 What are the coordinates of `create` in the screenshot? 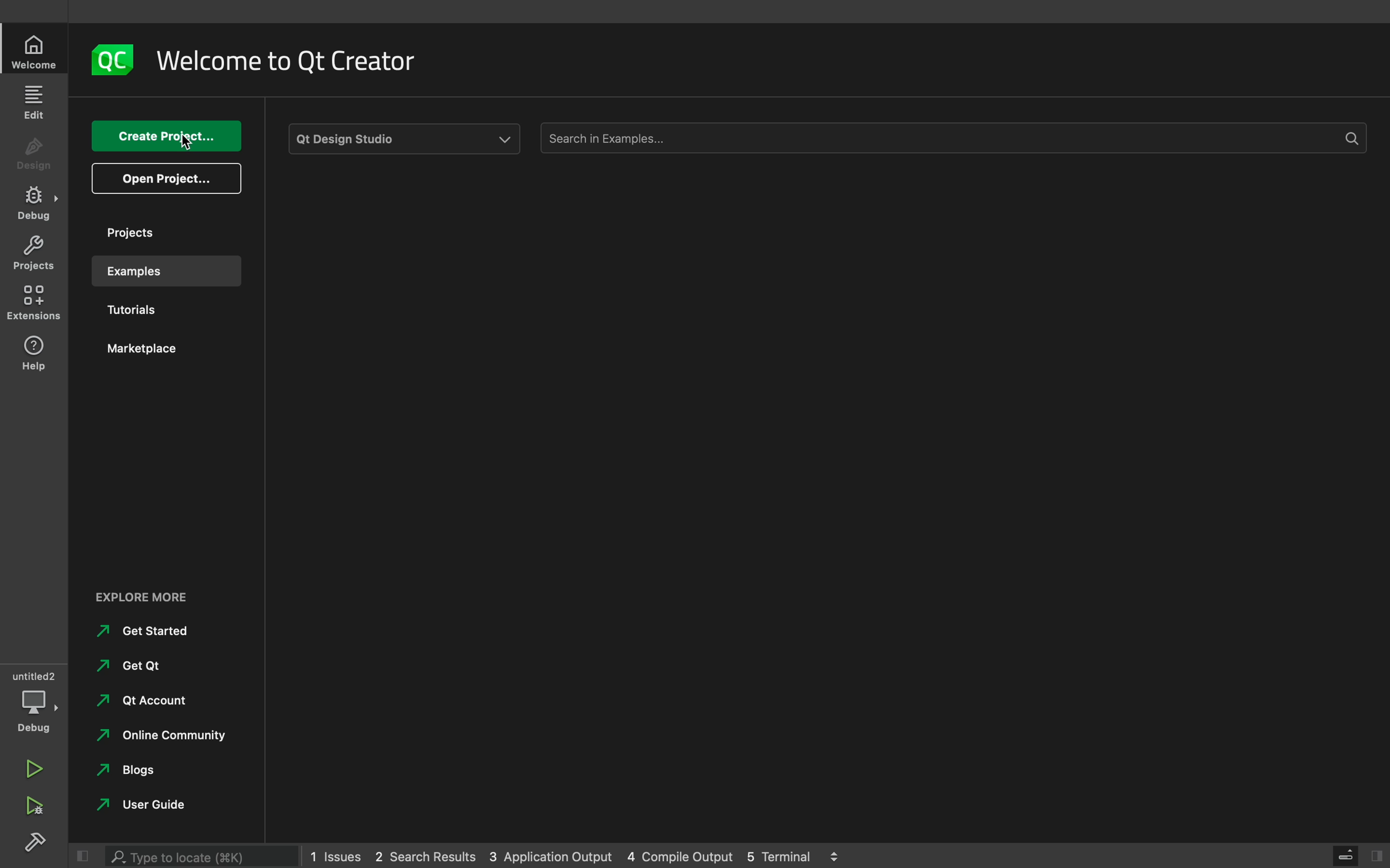 It's located at (165, 137).